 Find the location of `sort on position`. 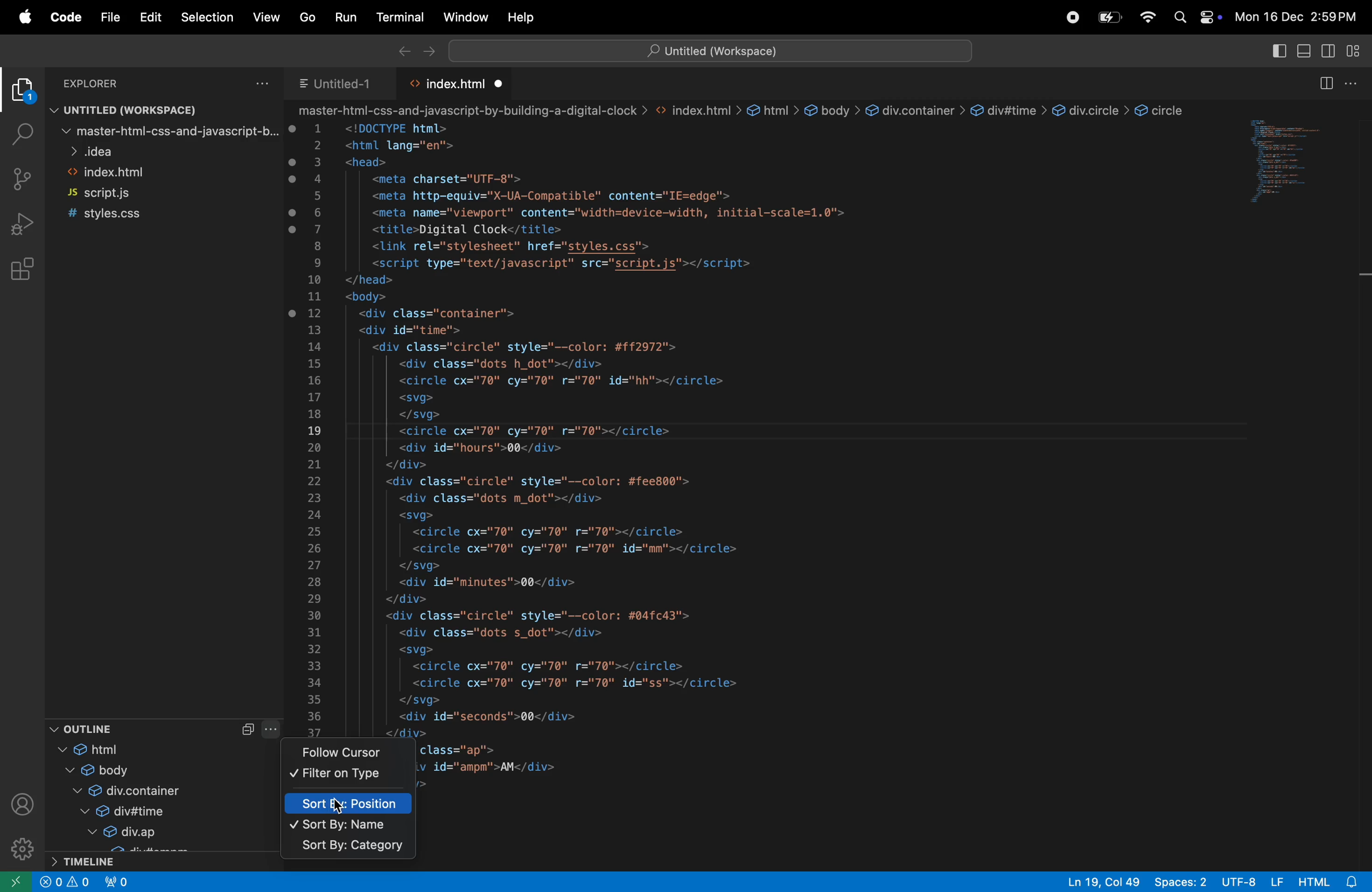

sort on position is located at coordinates (351, 802).